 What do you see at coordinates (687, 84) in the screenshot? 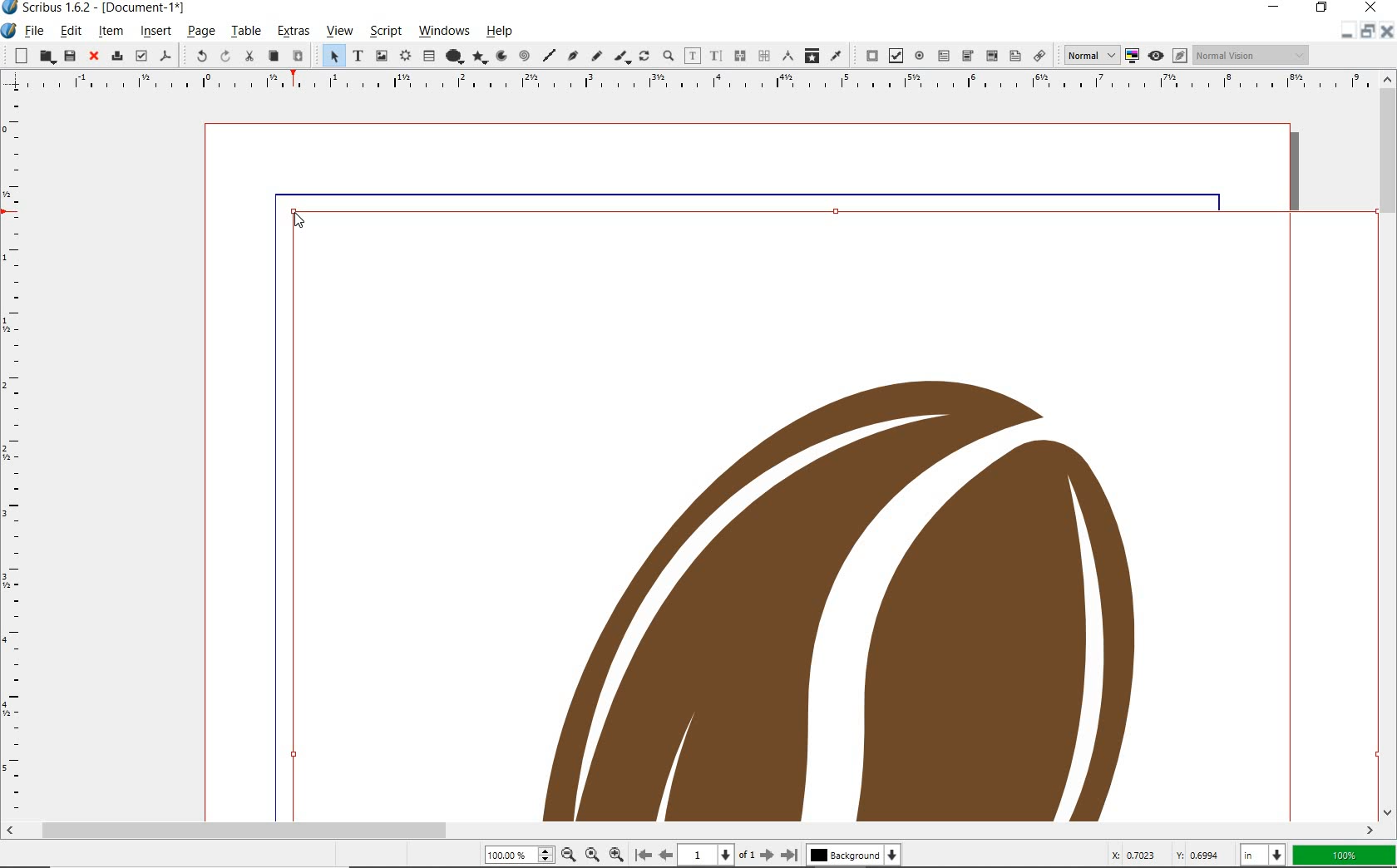
I see `Horizontal Margin` at bounding box center [687, 84].